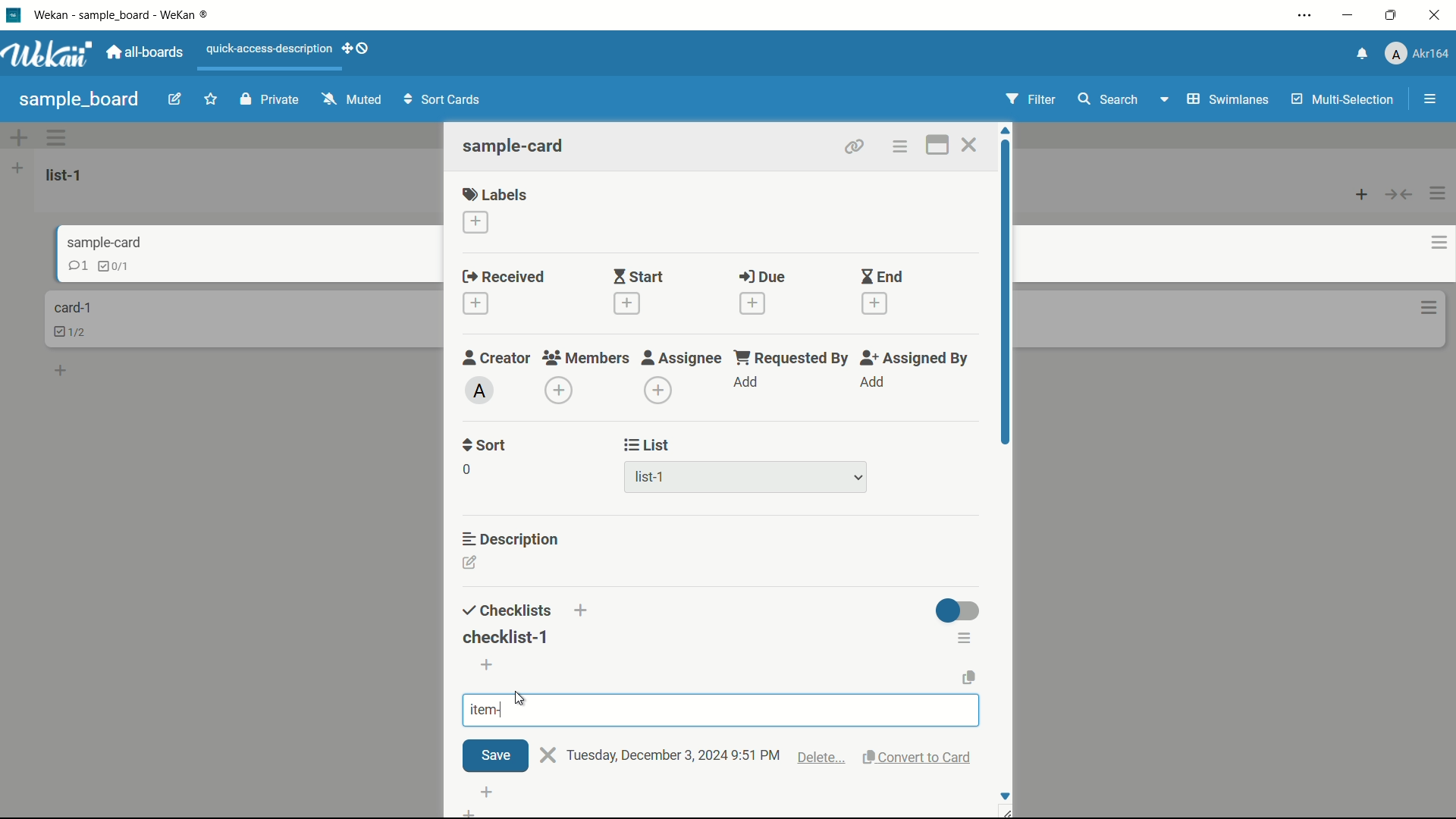 This screenshot has width=1456, height=819. I want to click on add checklist, so click(583, 611).